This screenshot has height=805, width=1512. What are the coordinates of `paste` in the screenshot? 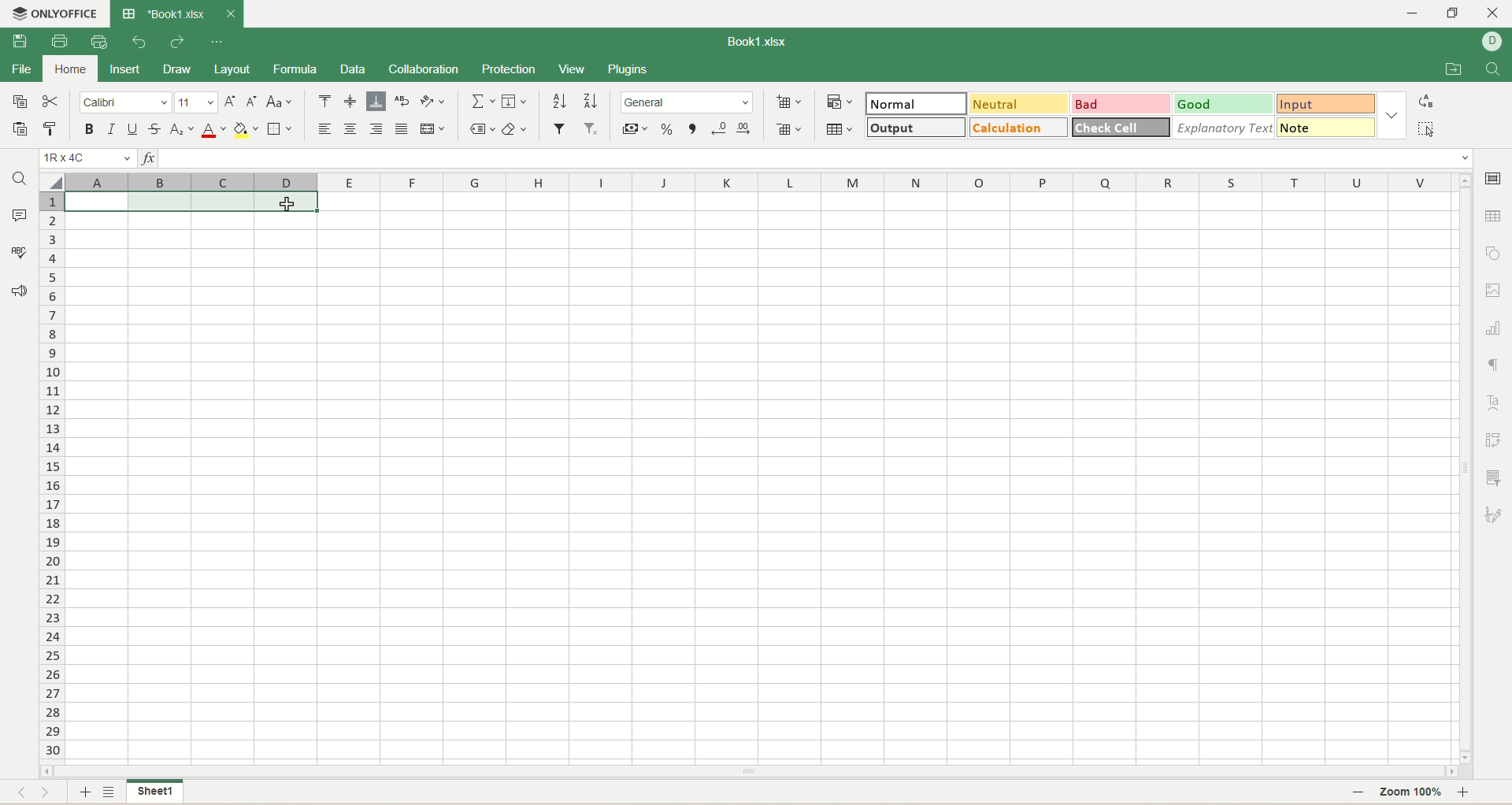 It's located at (21, 128).